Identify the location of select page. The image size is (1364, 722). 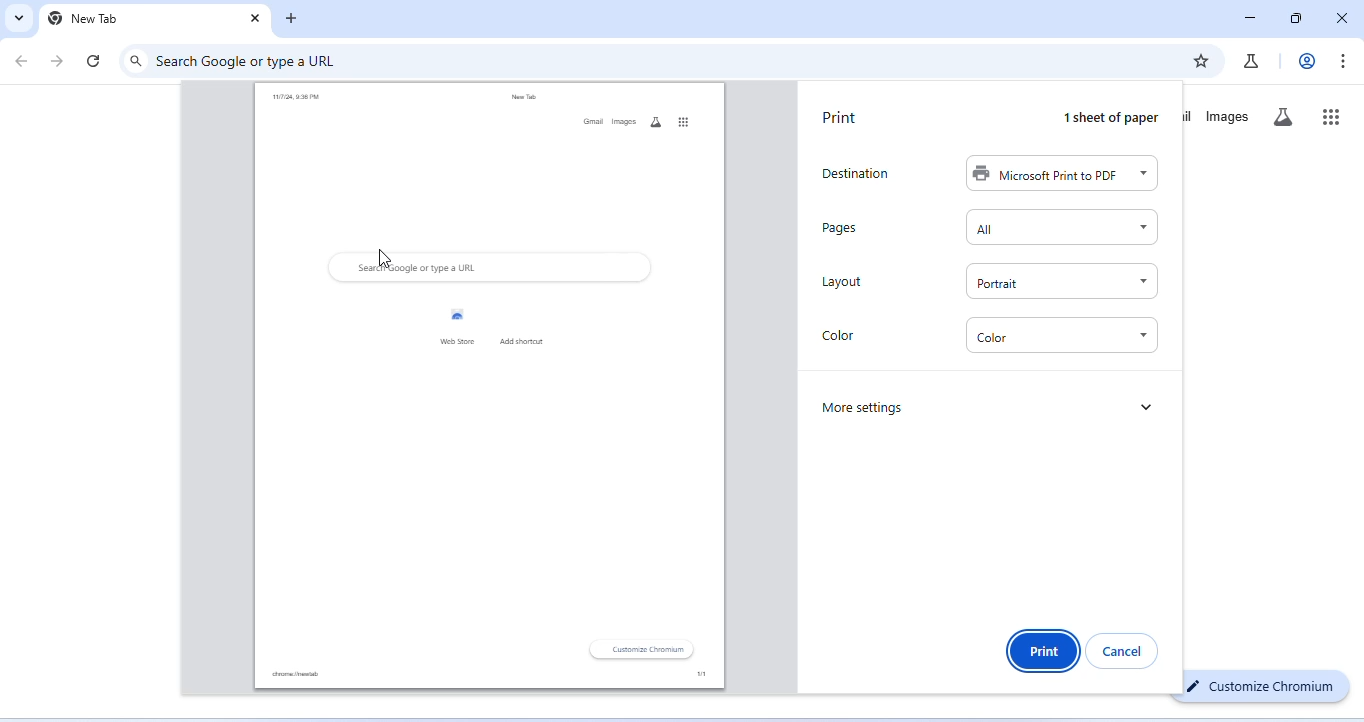
(1061, 227).